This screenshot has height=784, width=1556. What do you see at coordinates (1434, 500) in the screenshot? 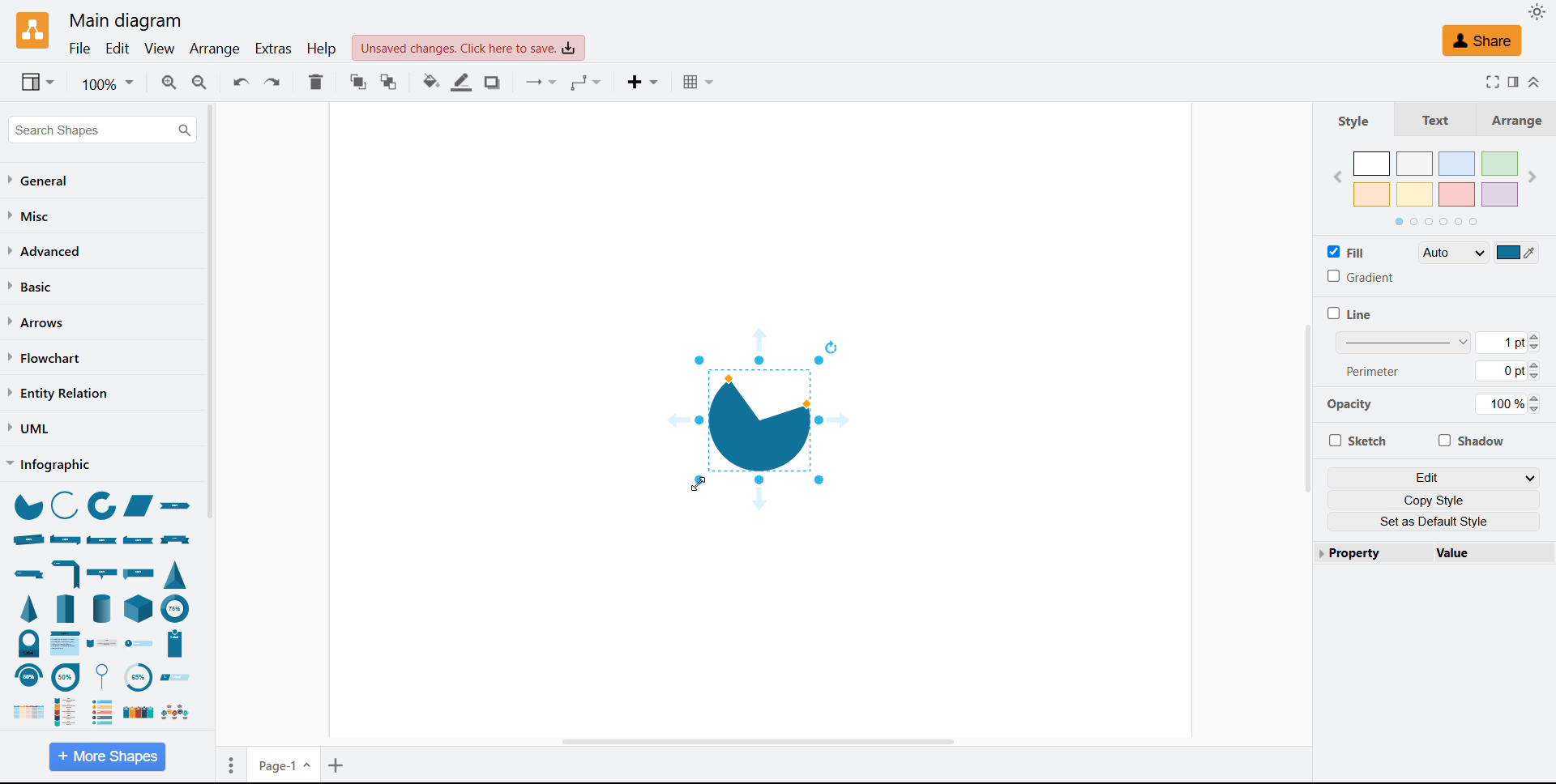
I see `Copy style ` at bounding box center [1434, 500].